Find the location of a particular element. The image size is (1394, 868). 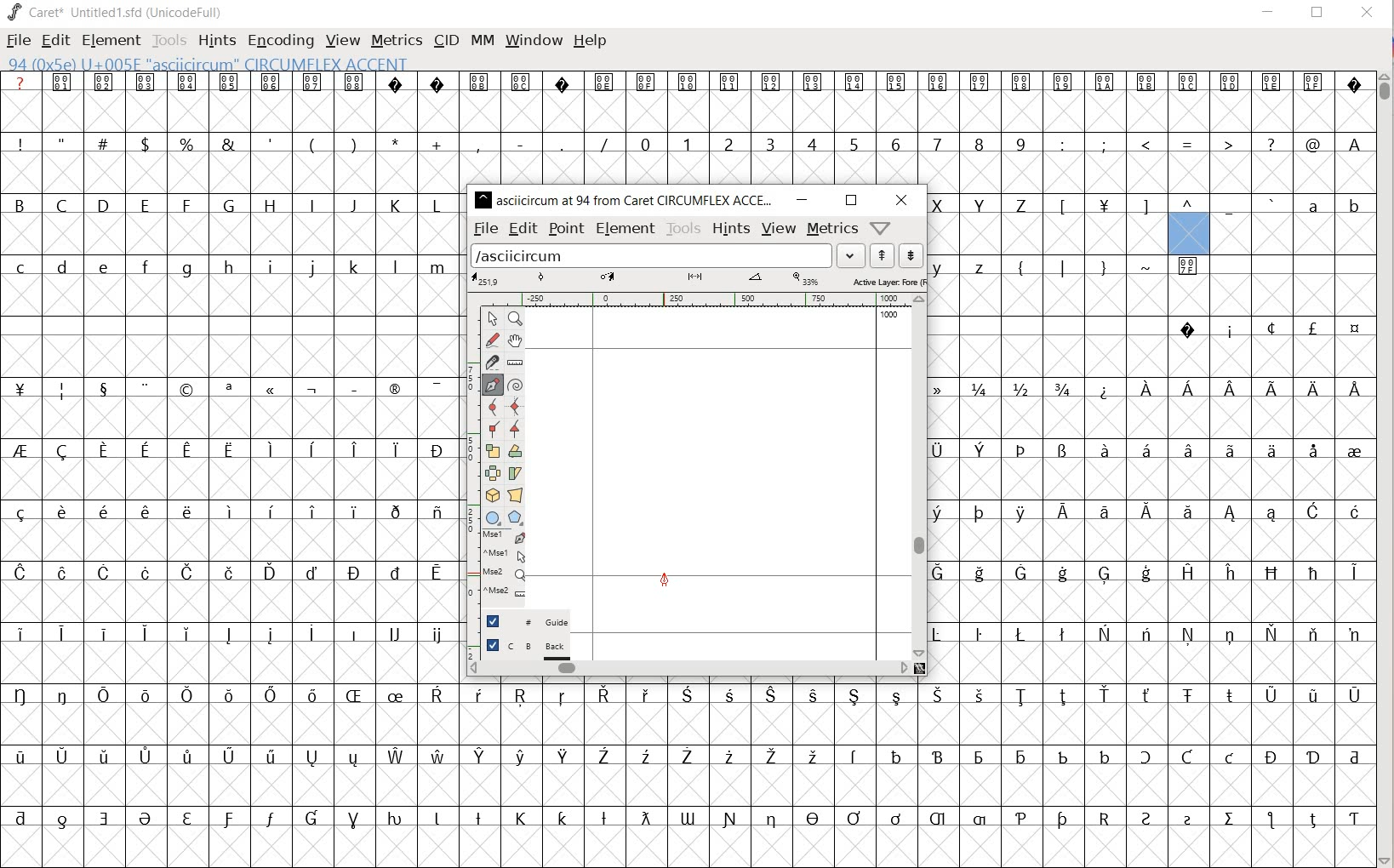

scale the selection is located at coordinates (492, 451).